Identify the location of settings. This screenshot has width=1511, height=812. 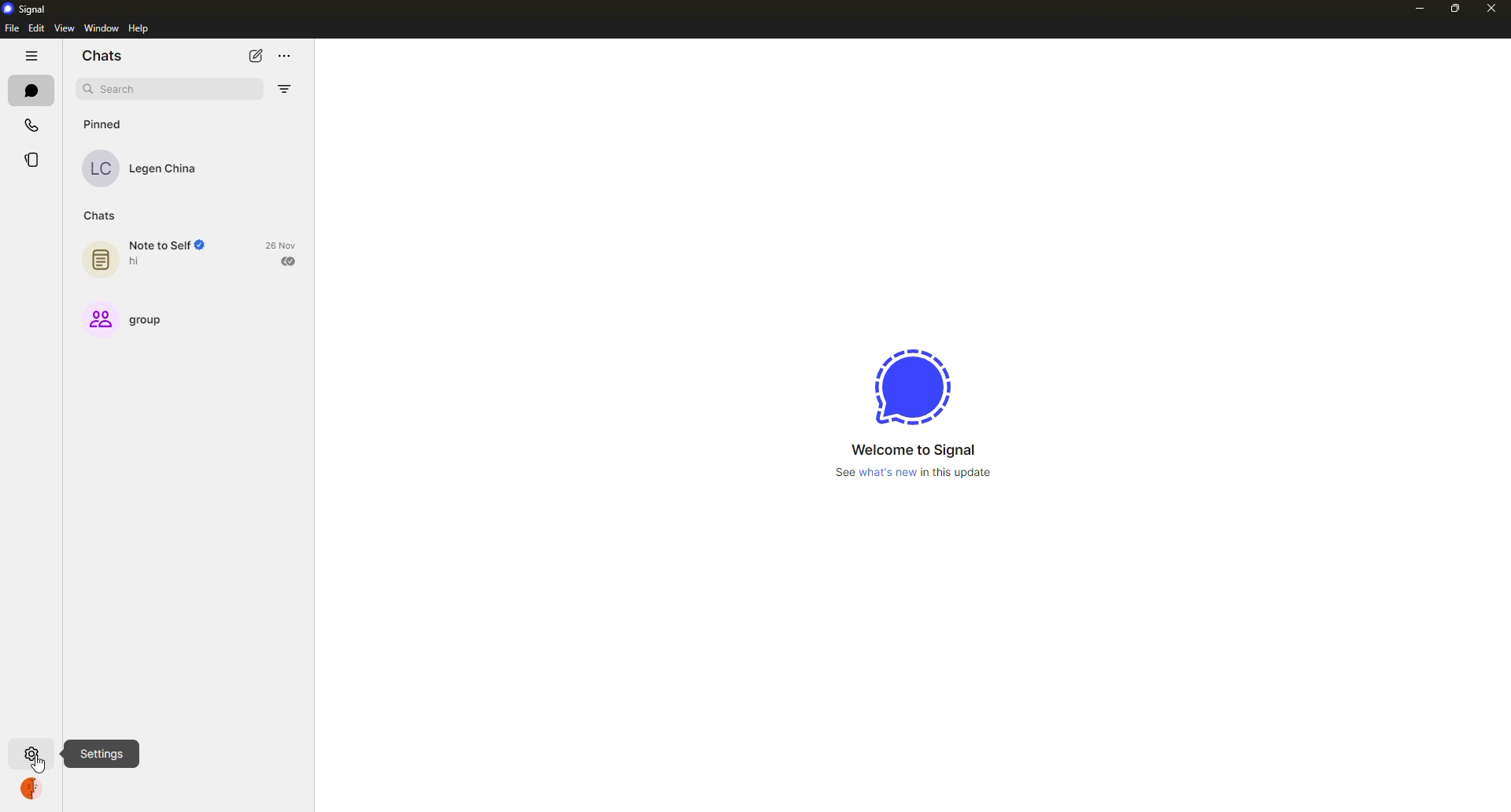
(102, 753).